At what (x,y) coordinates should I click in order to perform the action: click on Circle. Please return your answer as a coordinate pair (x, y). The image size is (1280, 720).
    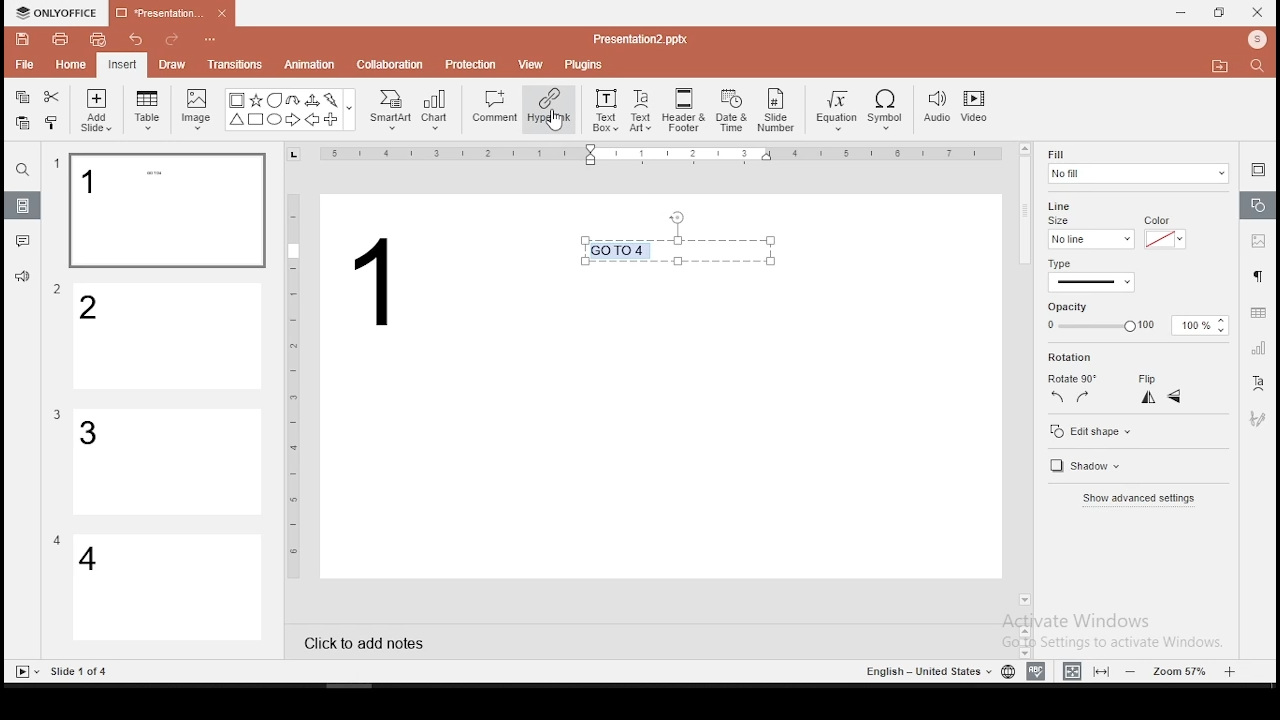
    Looking at the image, I should click on (276, 119).